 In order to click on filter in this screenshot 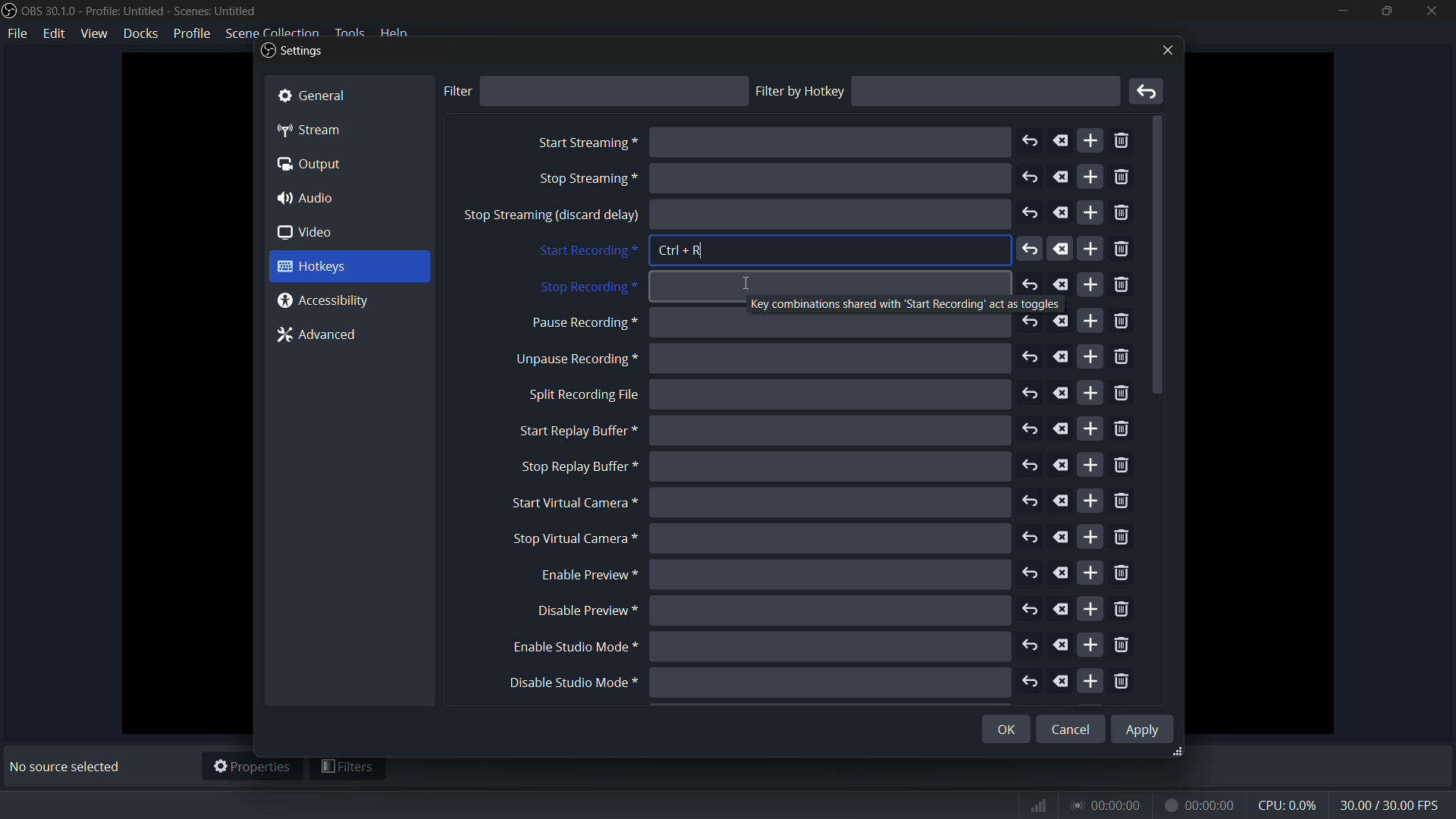, I will do `click(457, 91)`.